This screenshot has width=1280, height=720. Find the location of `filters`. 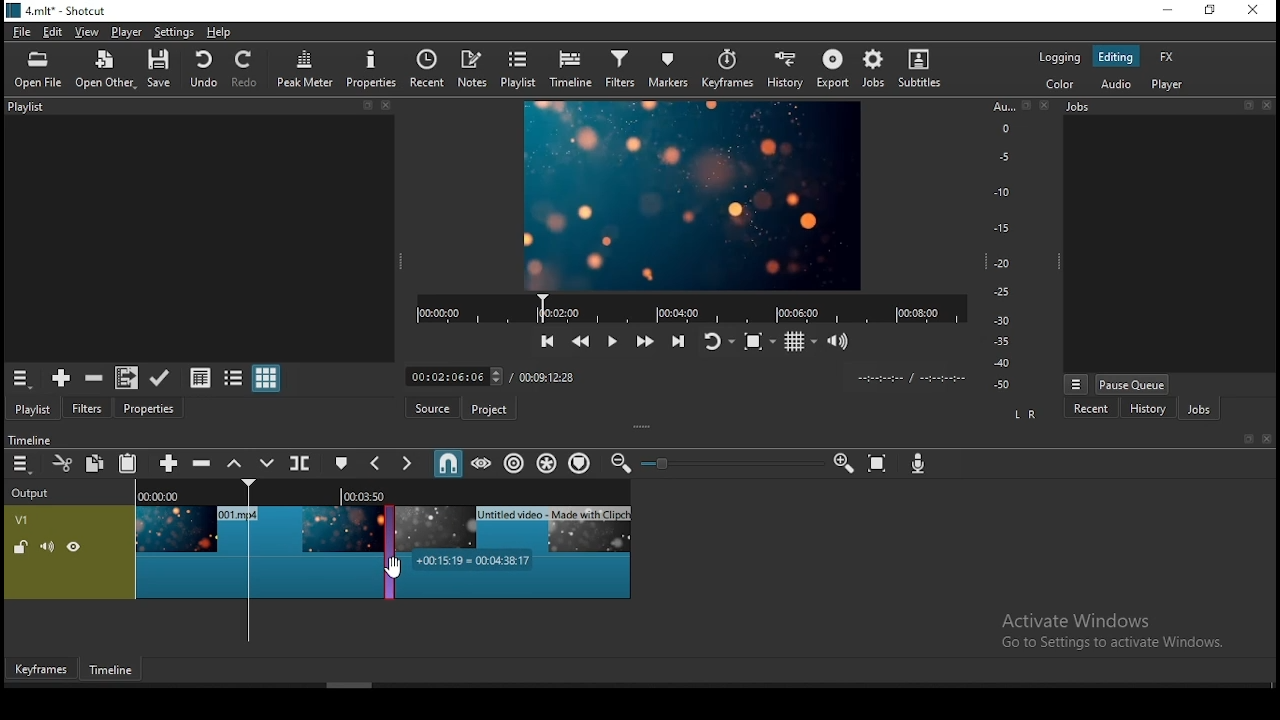

filters is located at coordinates (90, 406).